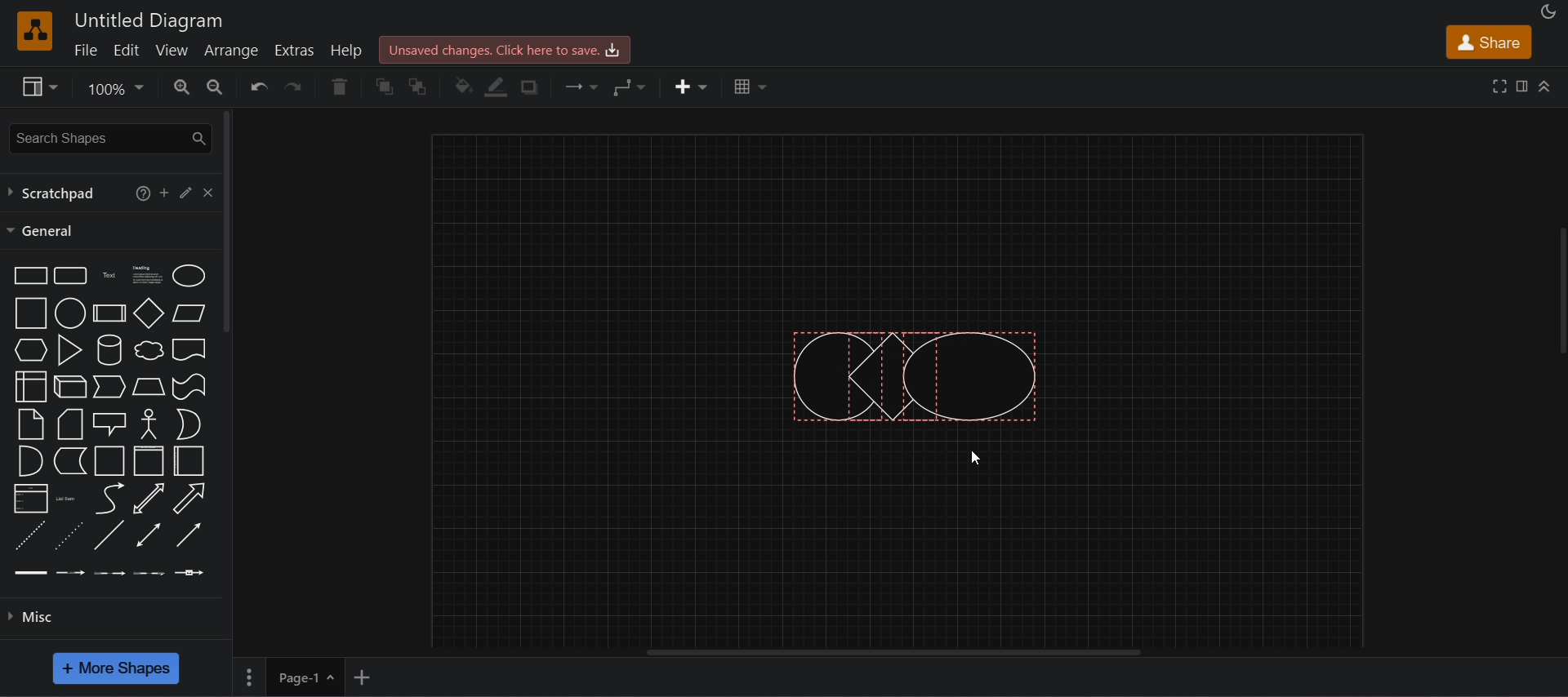 This screenshot has height=697, width=1568. Describe the element at coordinates (1546, 85) in the screenshot. I see `collapse/expand ` at that location.